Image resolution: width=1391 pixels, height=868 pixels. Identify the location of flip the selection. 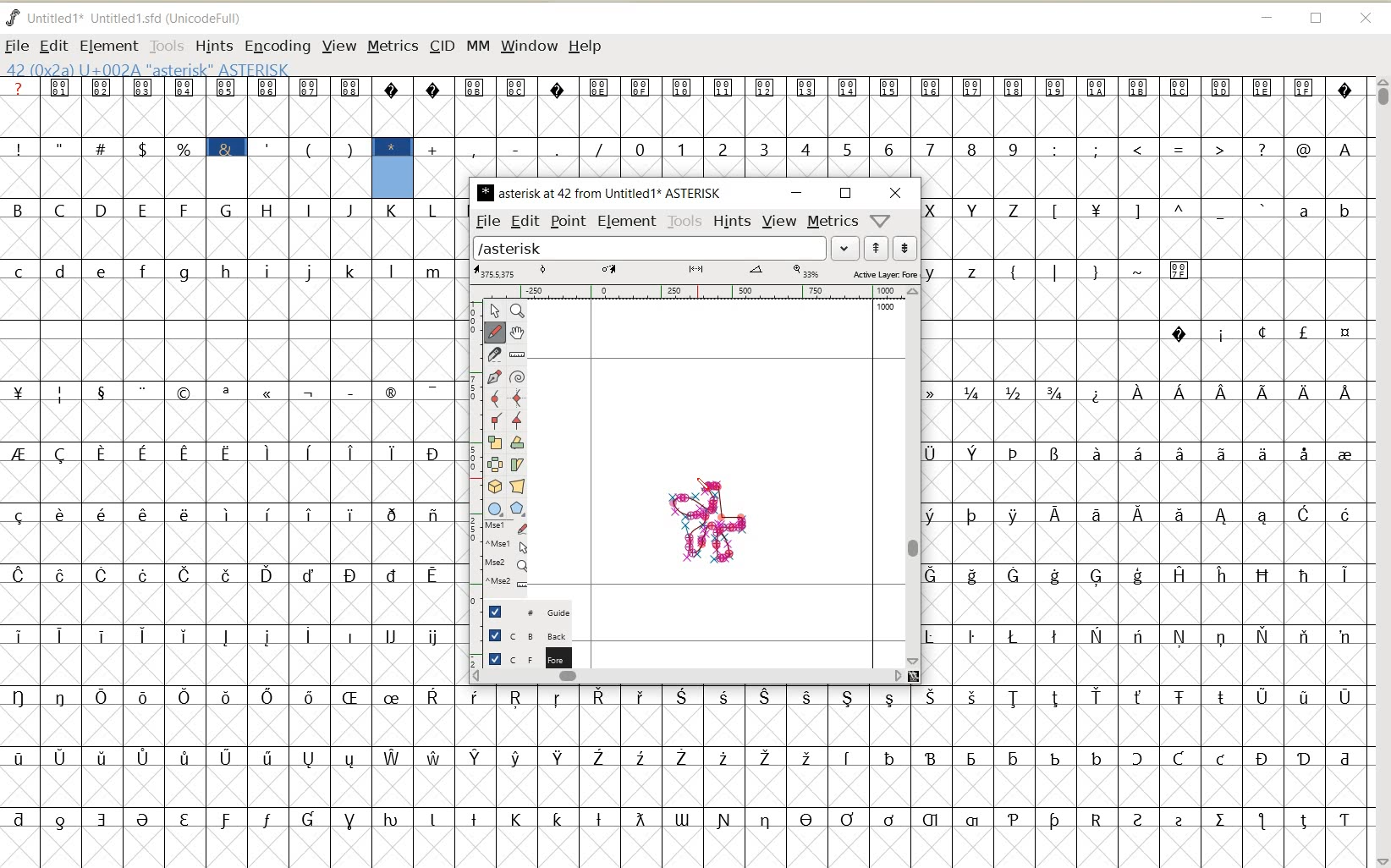
(493, 464).